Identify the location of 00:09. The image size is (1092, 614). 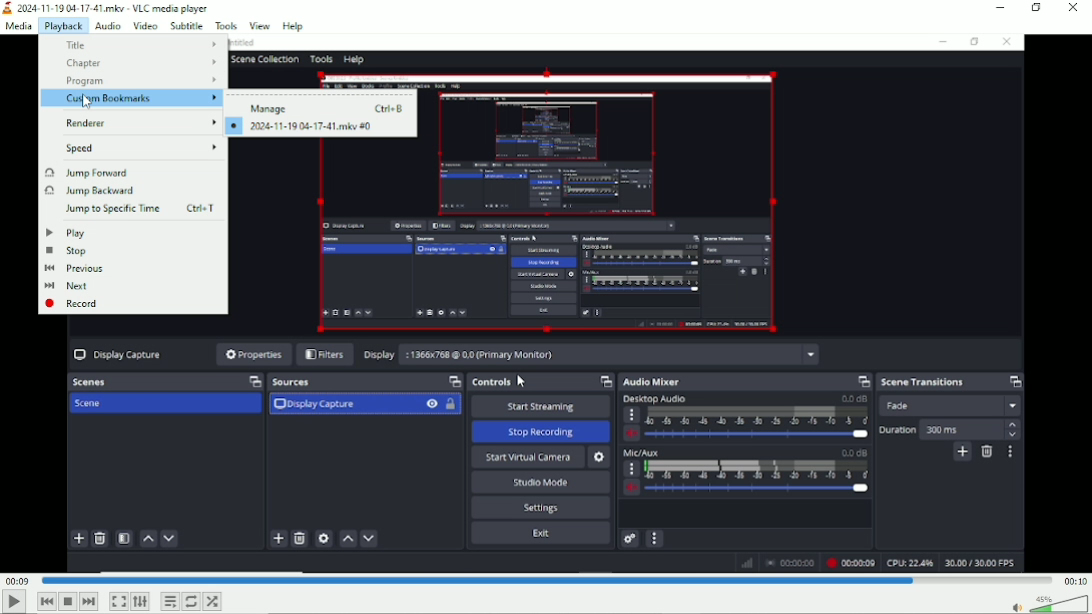
(18, 580).